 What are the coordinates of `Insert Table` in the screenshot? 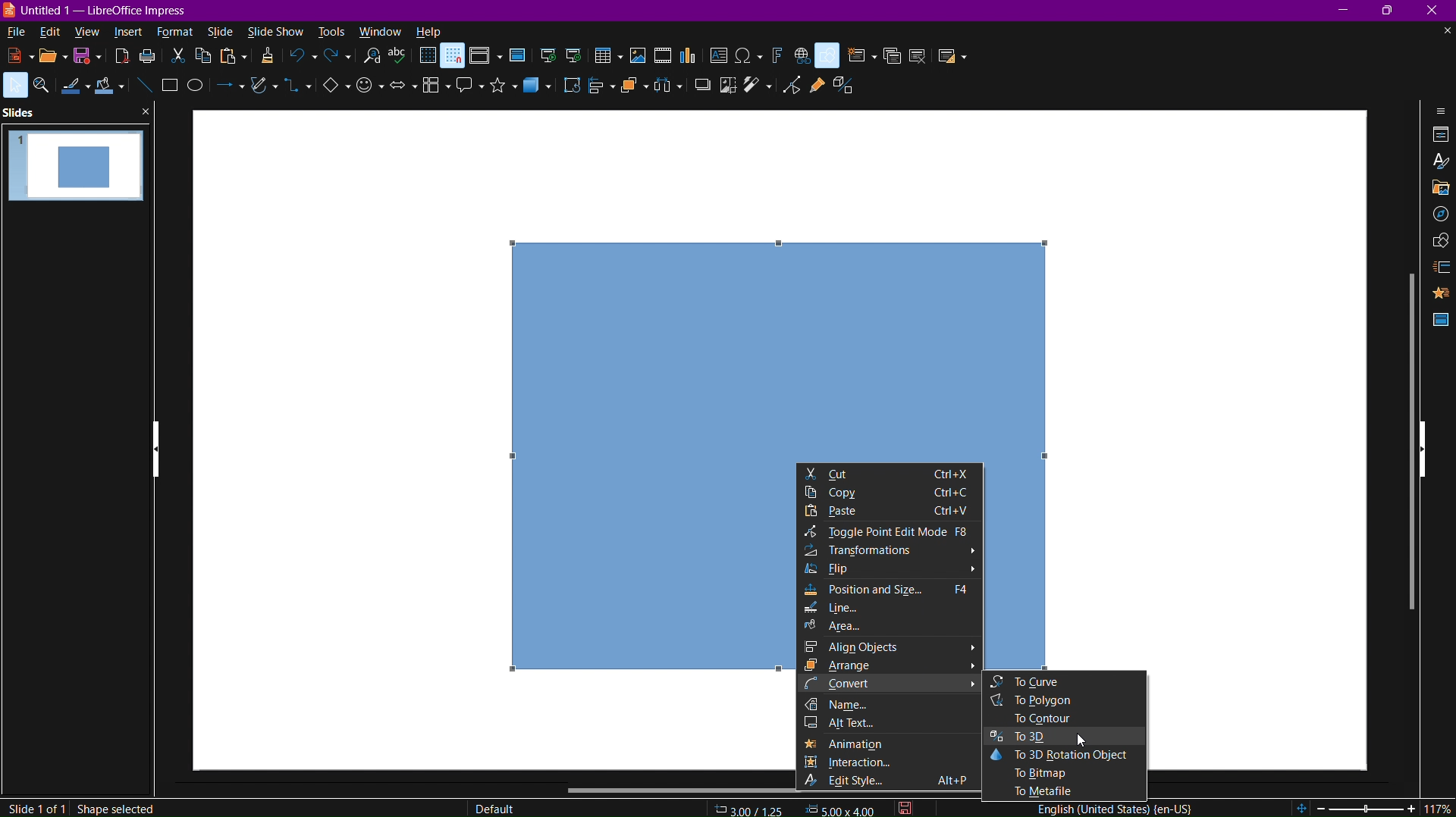 It's located at (608, 57).